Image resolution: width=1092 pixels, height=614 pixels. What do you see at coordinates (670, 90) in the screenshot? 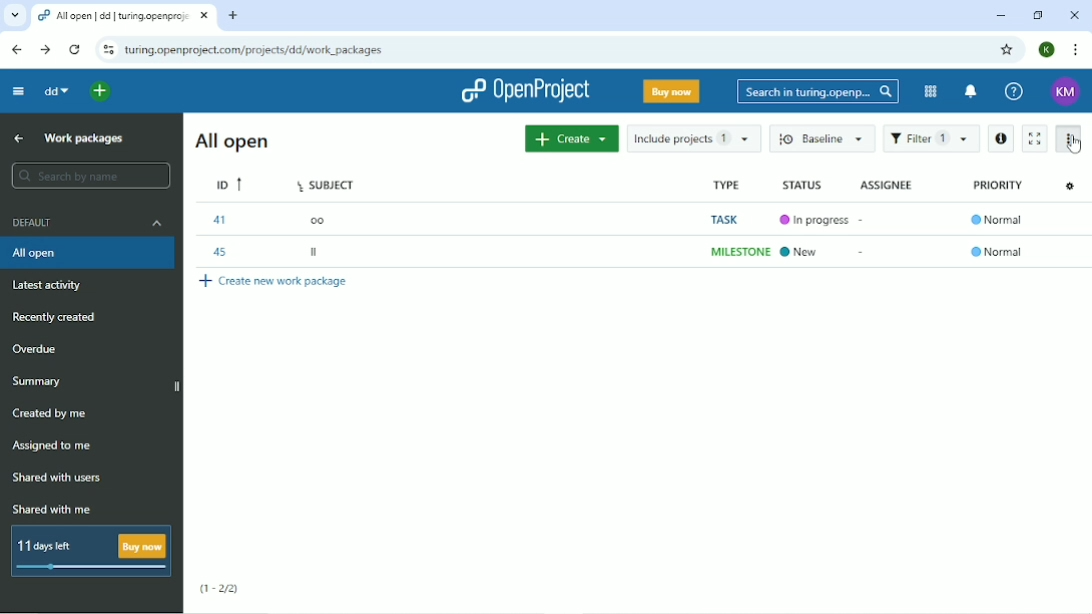
I see `Buy now` at bounding box center [670, 90].